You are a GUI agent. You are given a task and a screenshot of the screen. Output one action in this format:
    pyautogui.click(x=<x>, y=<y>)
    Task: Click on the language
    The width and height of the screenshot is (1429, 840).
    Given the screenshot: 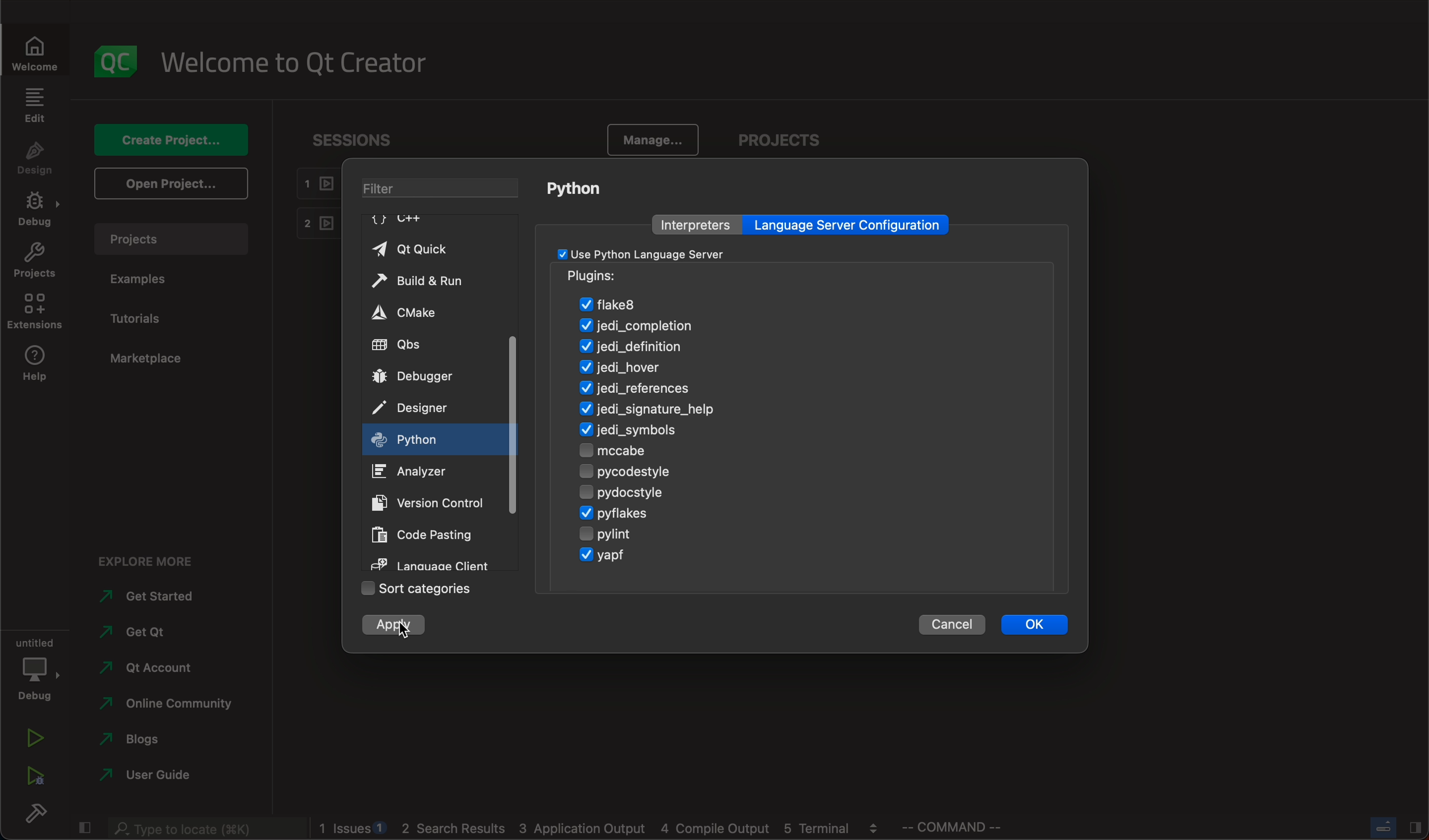 What is the action you would take?
    pyautogui.click(x=429, y=562)
    